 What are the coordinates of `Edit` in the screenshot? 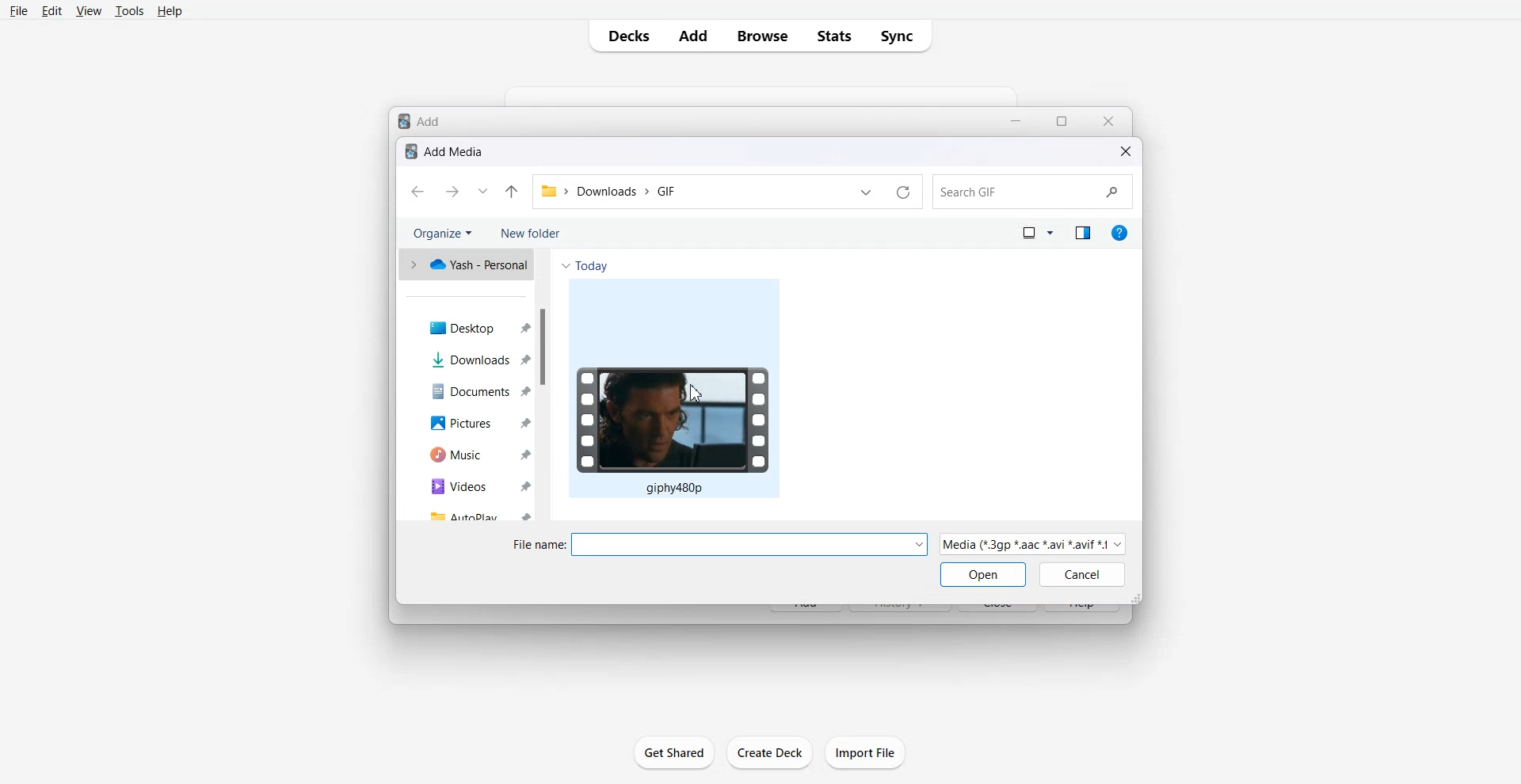 It's located at (52, 11).